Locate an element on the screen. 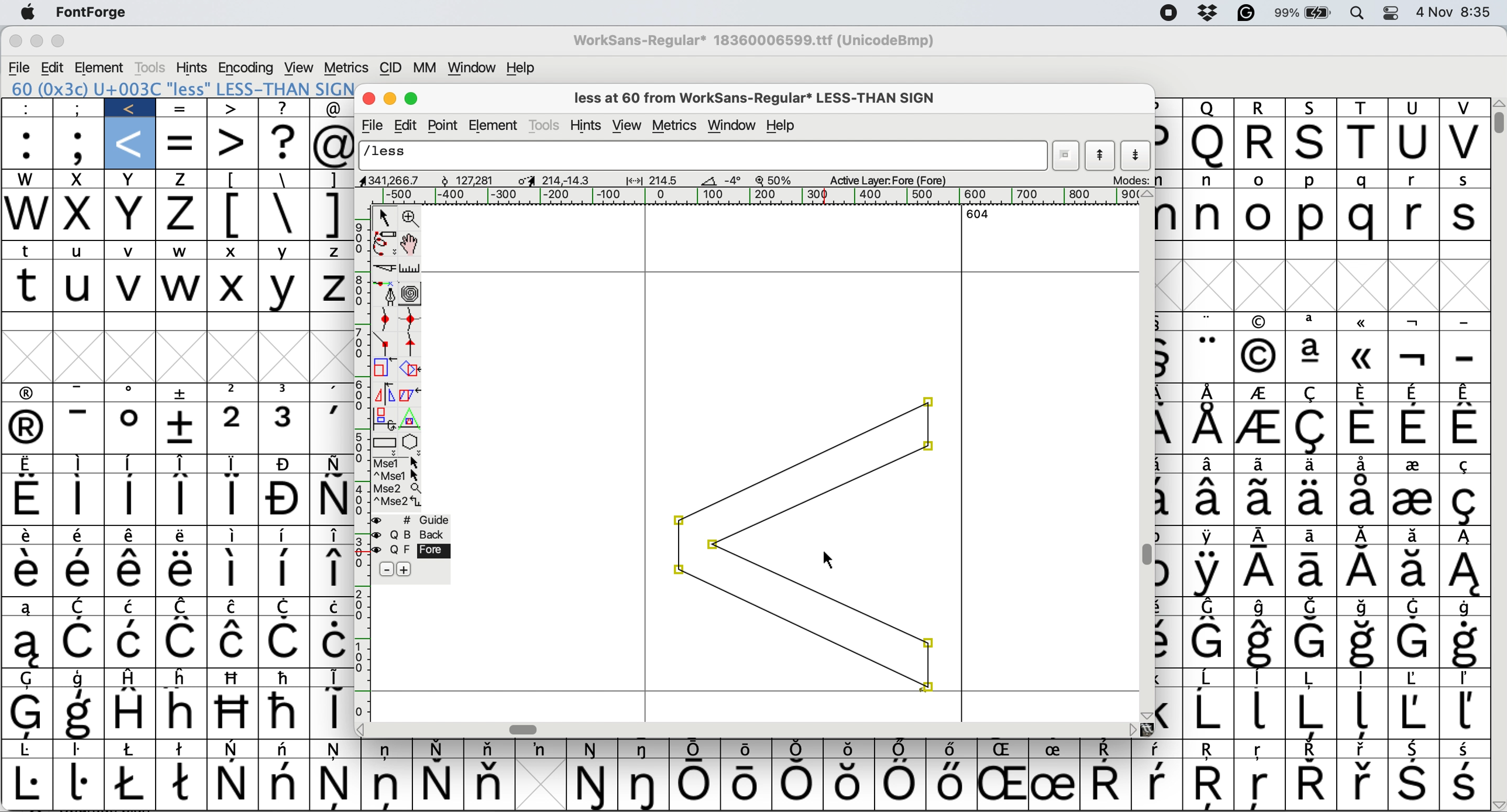 The height and width of the screenshot is (812, 1507). 60 (0x3c) U+003C "less" LESS-THAN SIGN is located at coordinates (181, 88).